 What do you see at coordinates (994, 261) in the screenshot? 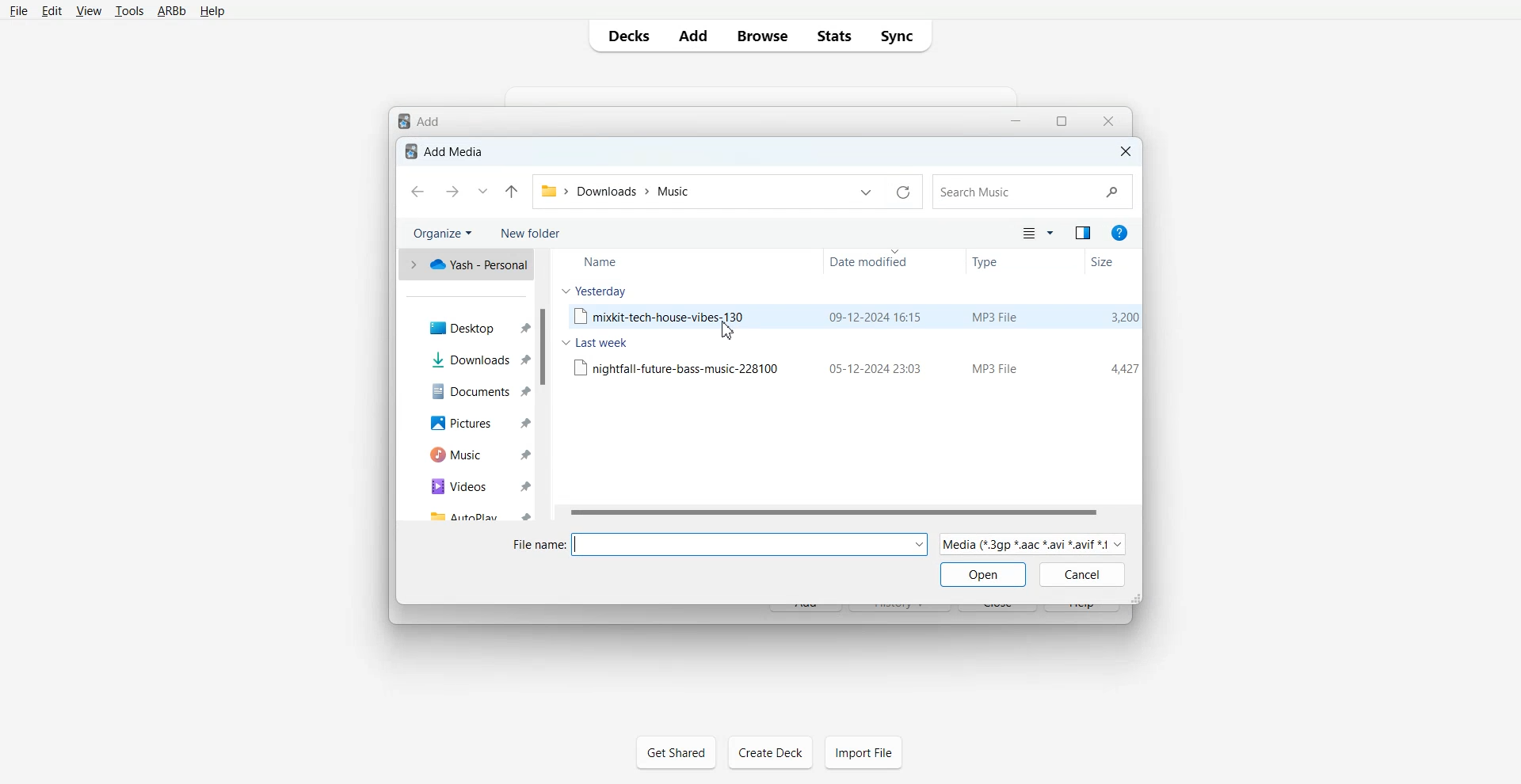
I see `Type` at bounding box center [994, 261].